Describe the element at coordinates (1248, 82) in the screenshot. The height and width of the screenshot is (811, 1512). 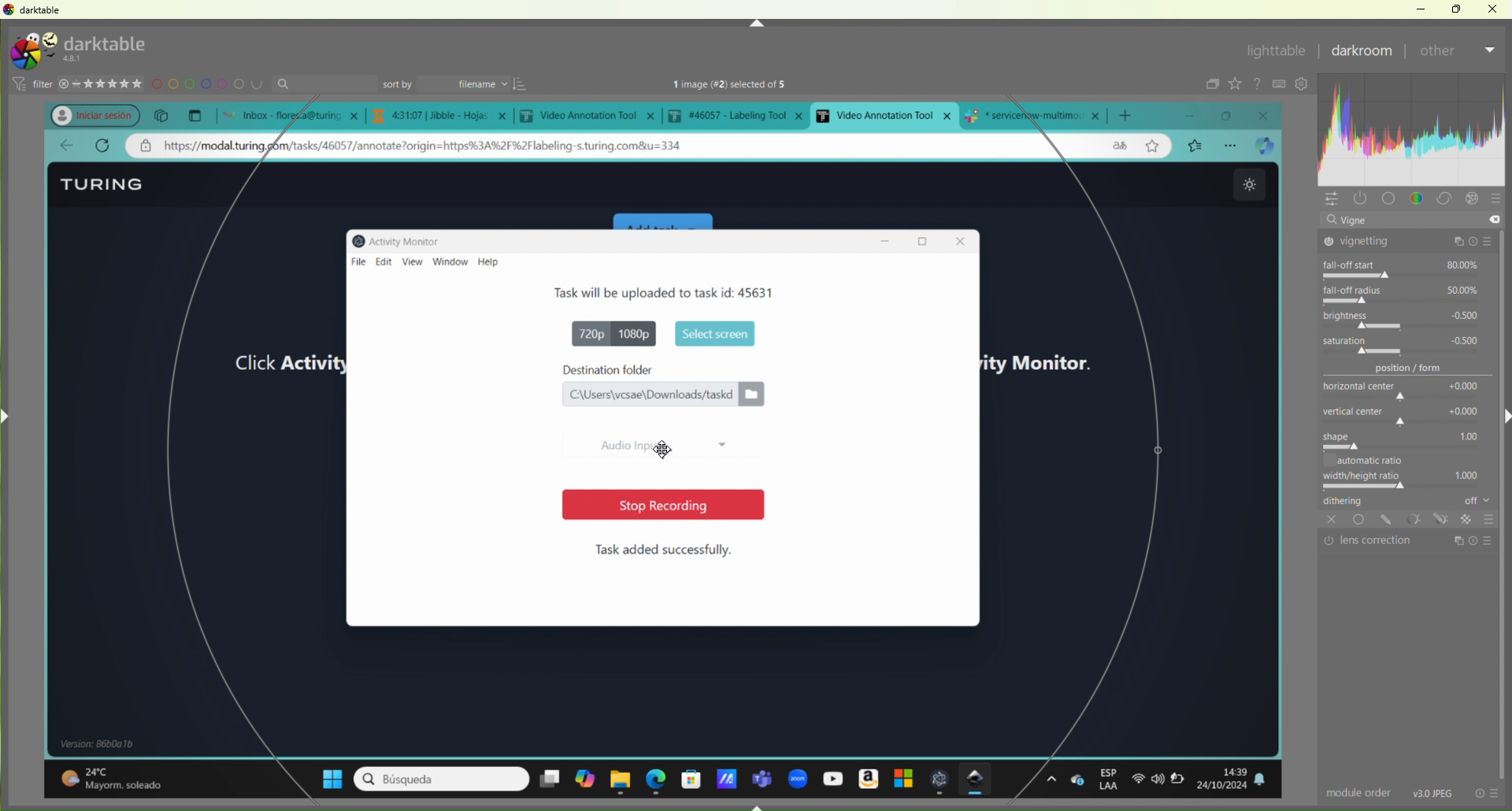
I see `` at that location.